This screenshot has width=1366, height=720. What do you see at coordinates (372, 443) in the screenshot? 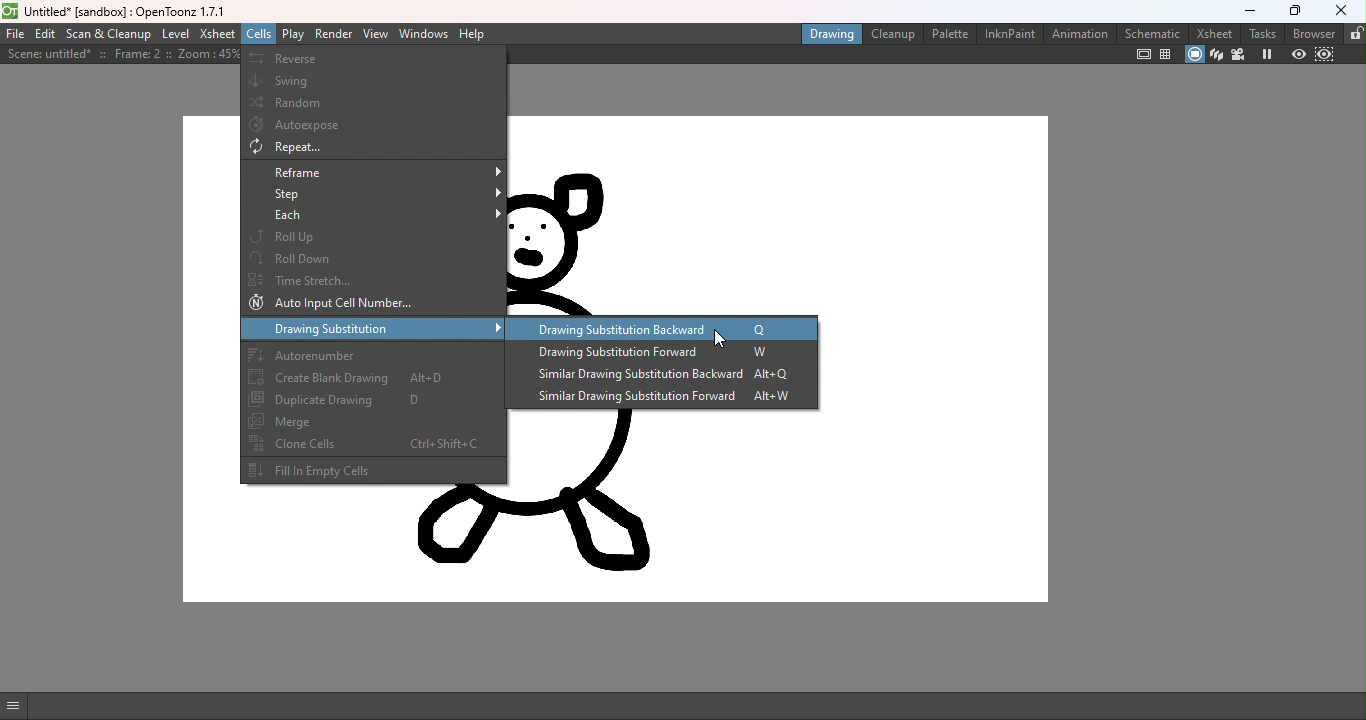
I see `Clone cells` at bounding box center [372, 443].